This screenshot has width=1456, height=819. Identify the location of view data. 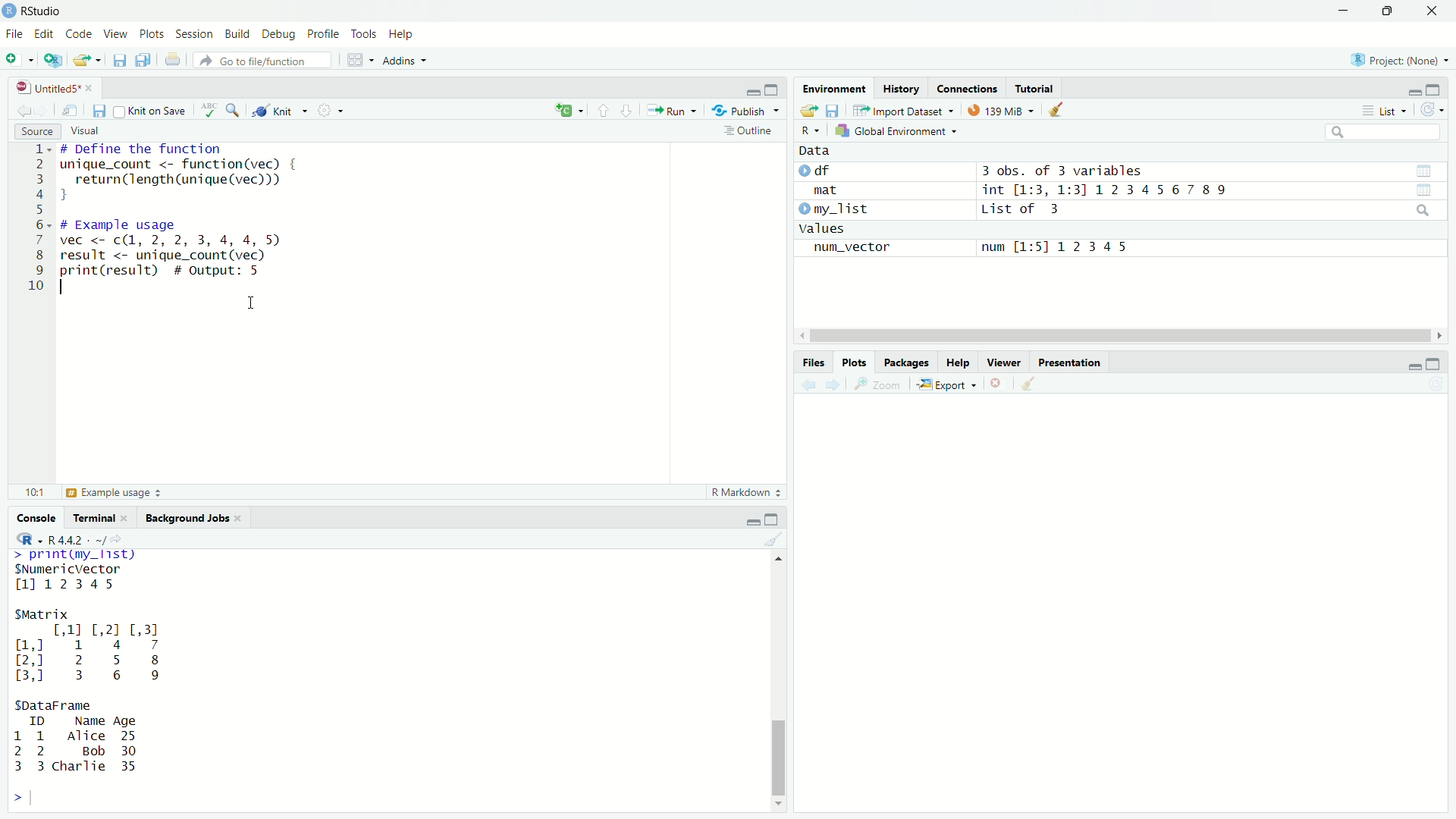
(1423, 170).